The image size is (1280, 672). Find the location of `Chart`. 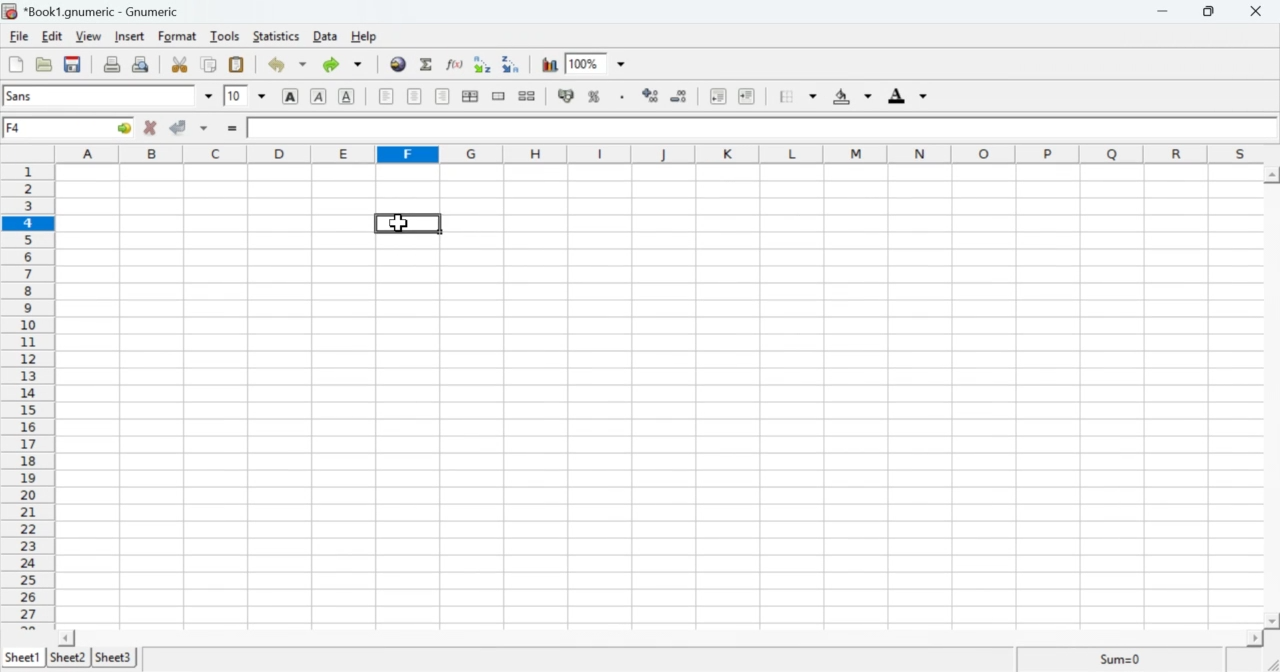

Chart is located at coordinates (547, 64).